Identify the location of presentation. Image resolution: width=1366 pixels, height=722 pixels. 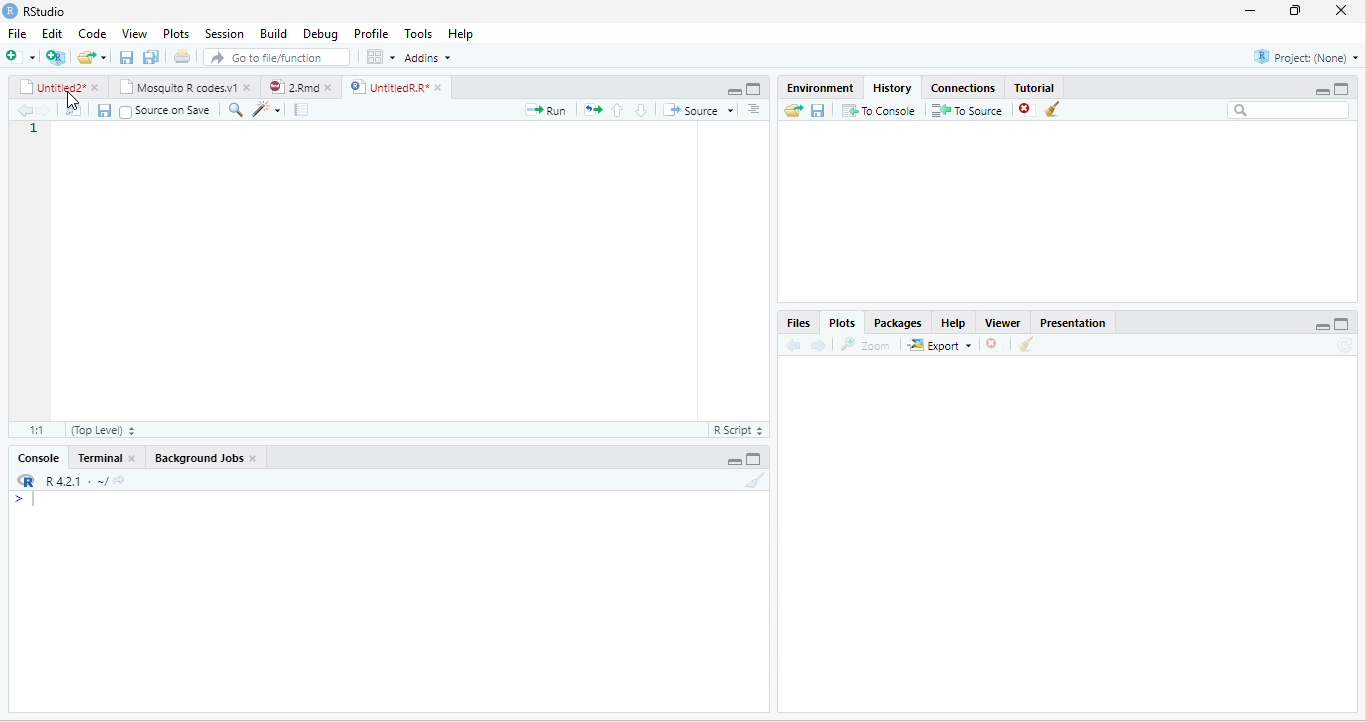
(1077, 320).